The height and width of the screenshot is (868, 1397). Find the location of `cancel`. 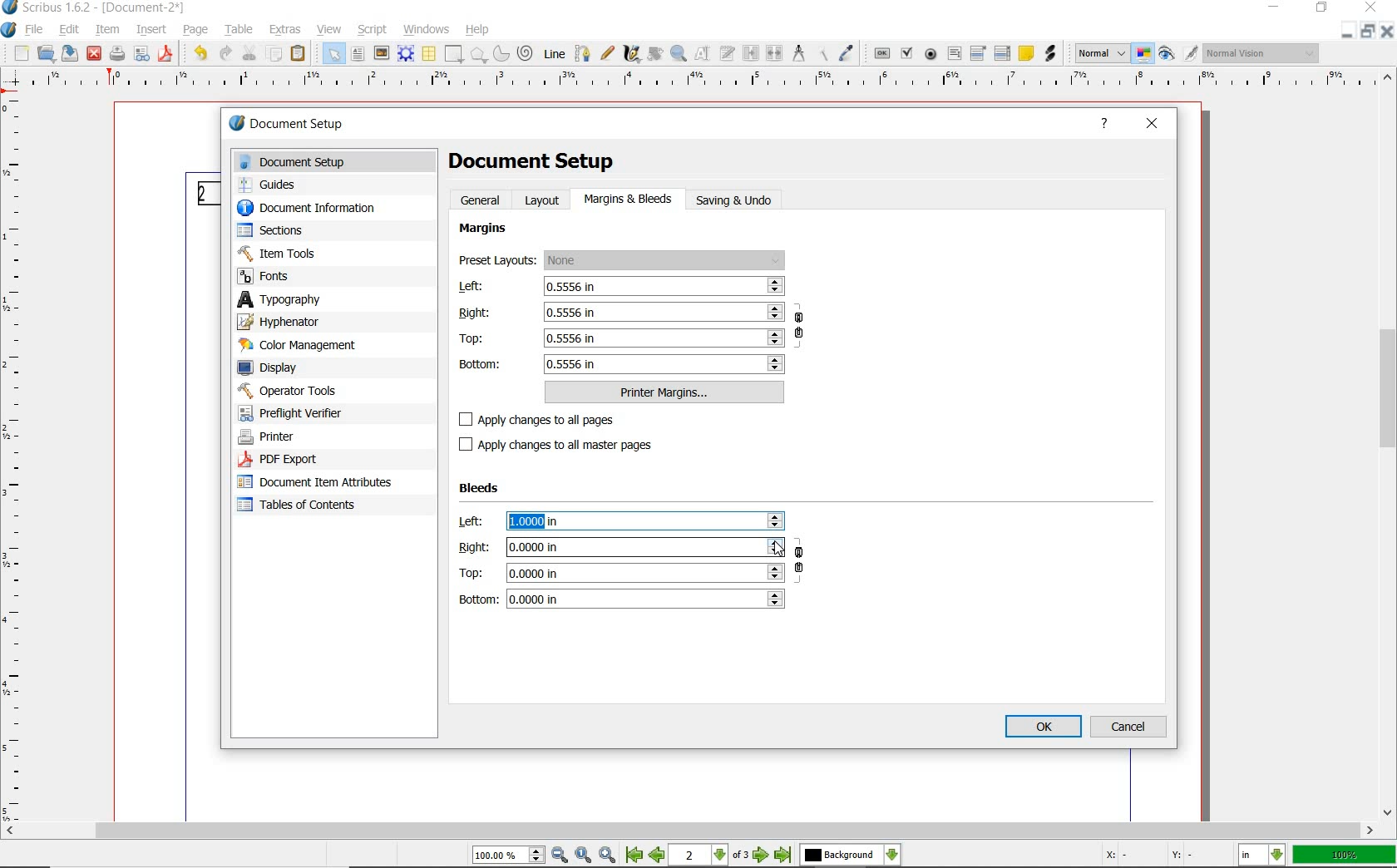

cancel is located at coordinates (1131, 726).